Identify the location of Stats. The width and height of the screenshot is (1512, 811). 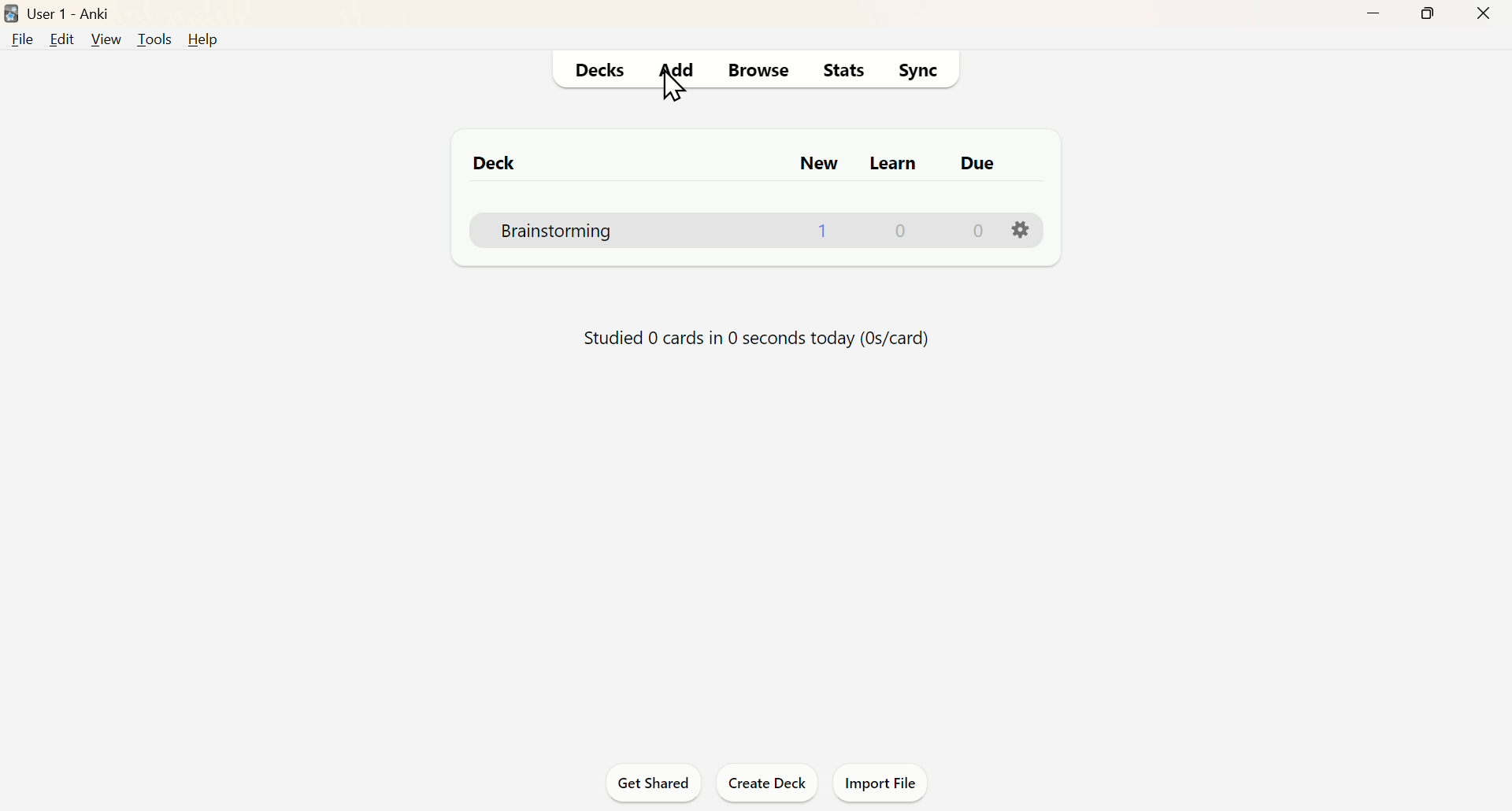
(846, 68).